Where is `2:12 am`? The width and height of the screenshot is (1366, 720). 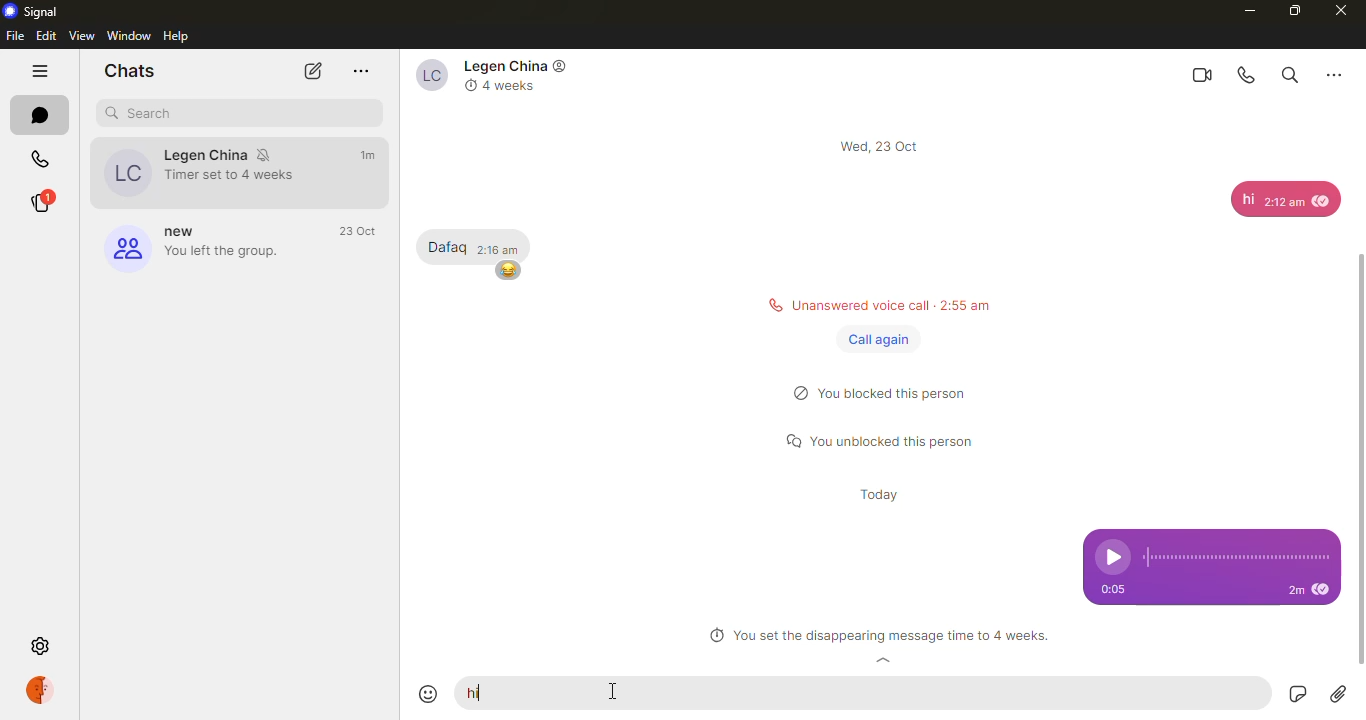
2:12 am is located at coordinates (1283, 205).